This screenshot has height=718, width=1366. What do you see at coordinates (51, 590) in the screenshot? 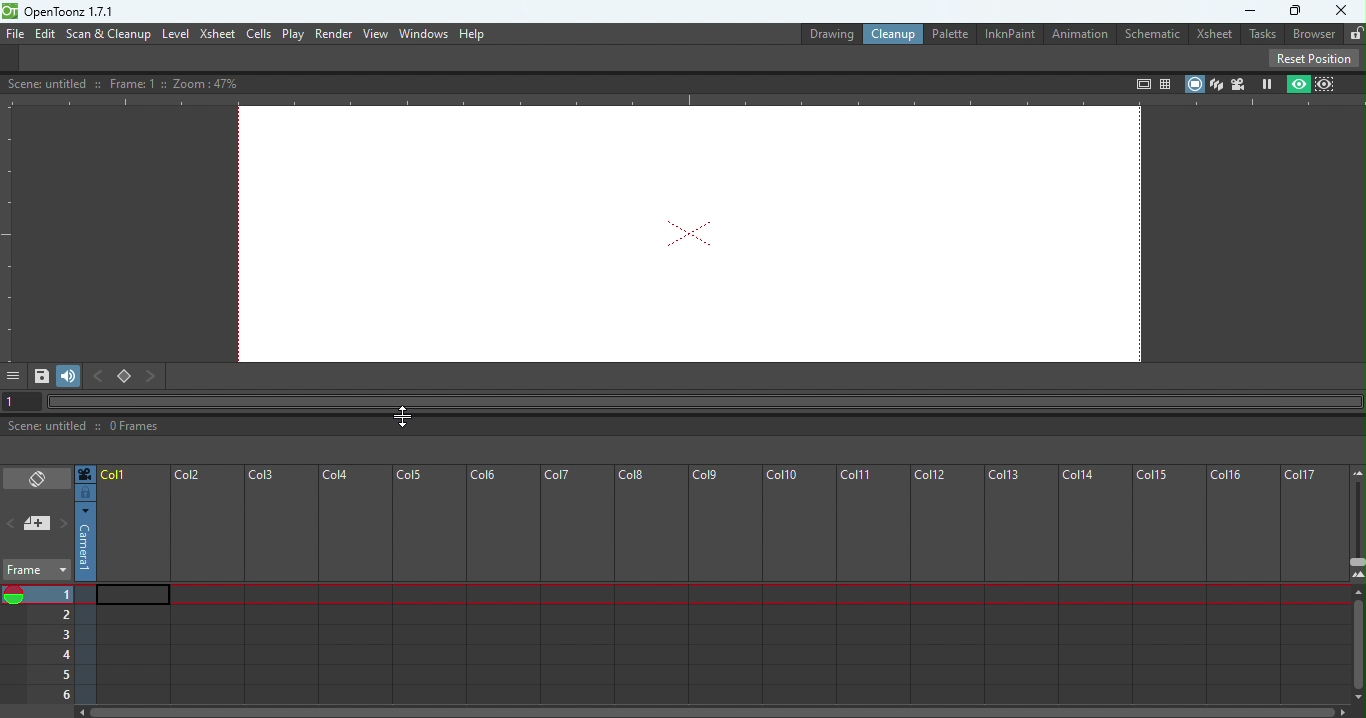
I see `Set the current frame` at bounding box center [51, 590].